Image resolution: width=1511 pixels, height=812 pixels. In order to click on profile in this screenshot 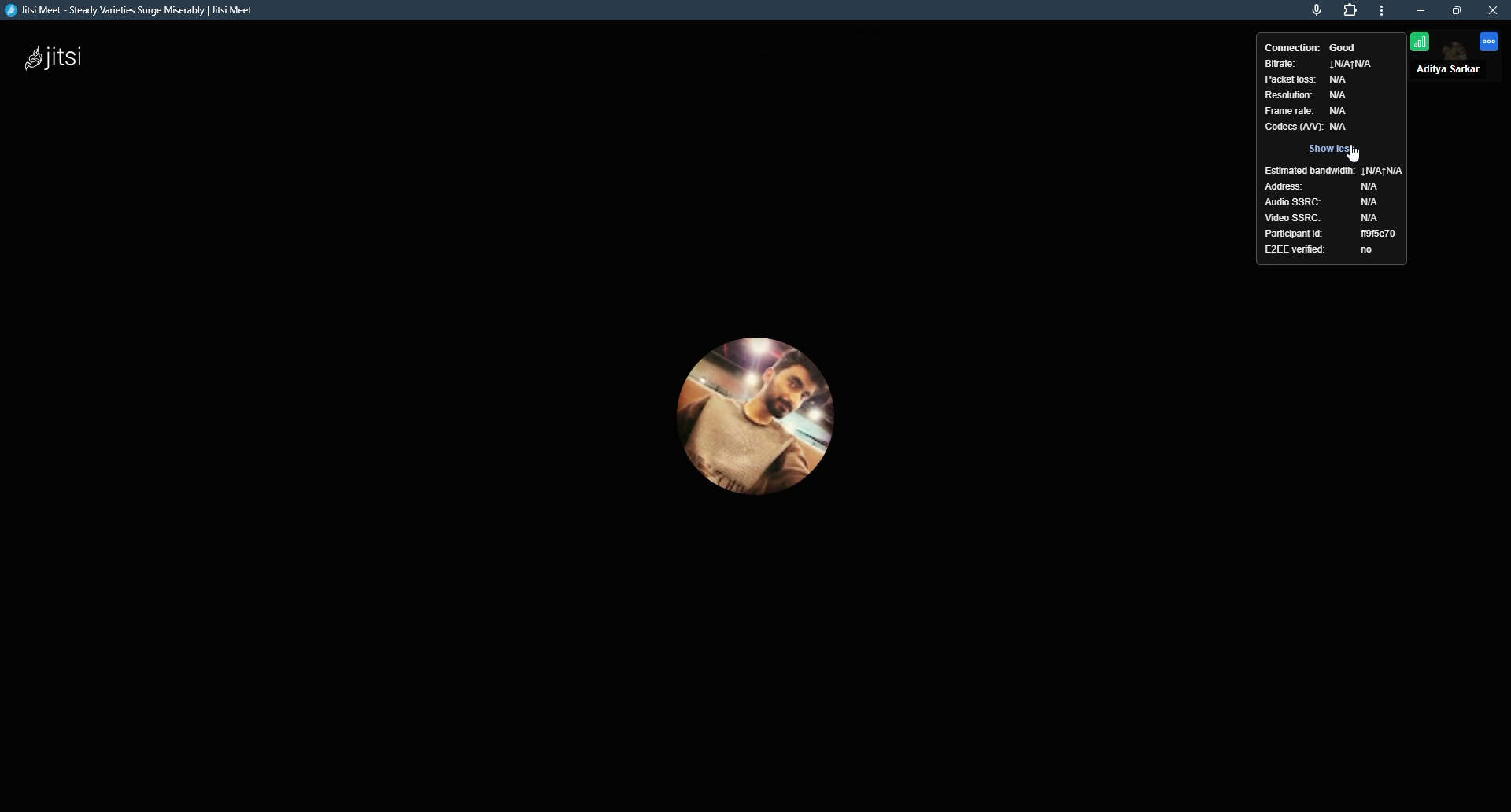, I will do `click(759, 412)`.